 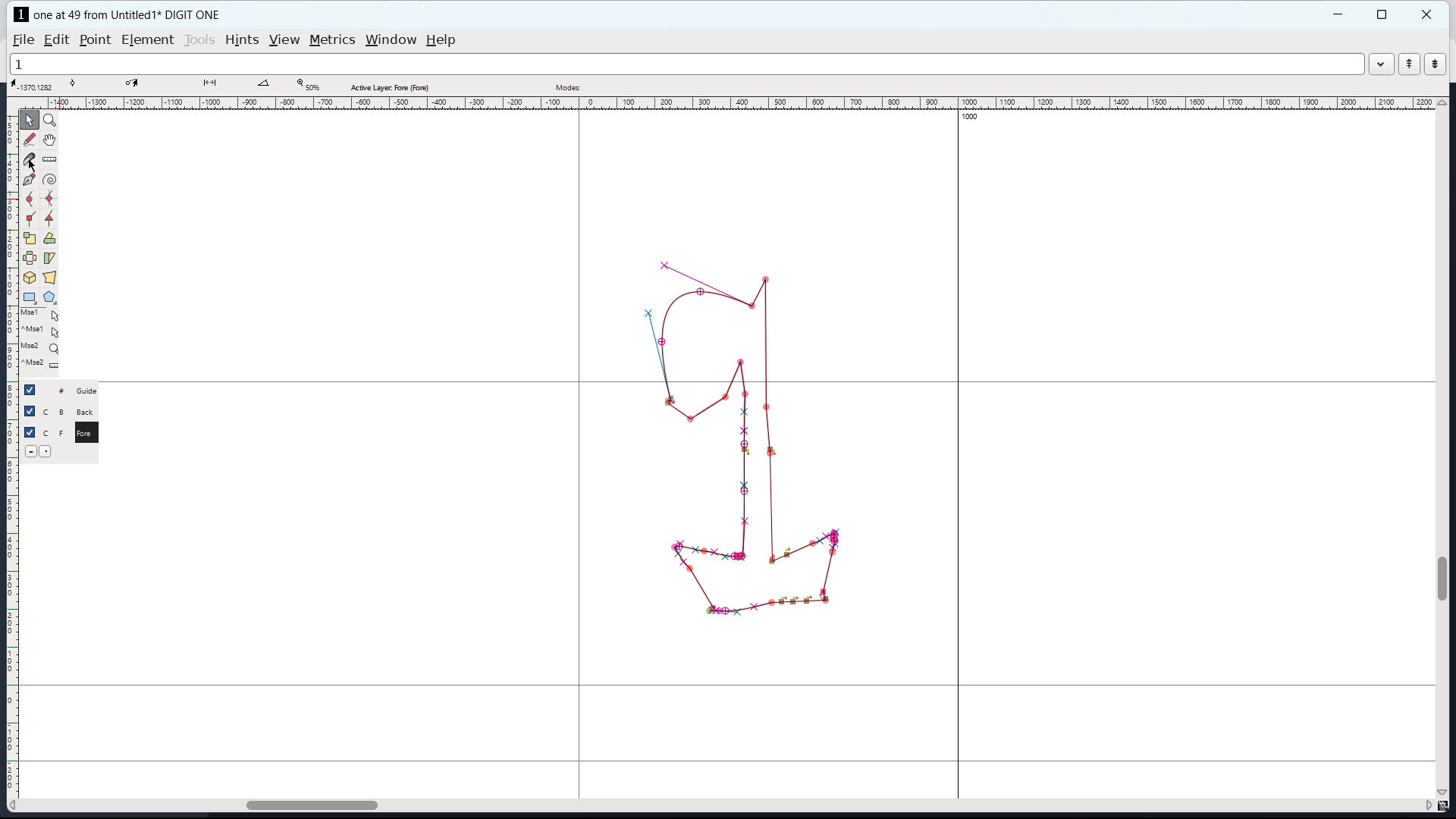 I want to click on draw a freehand curve, so click(x=30, y=140).